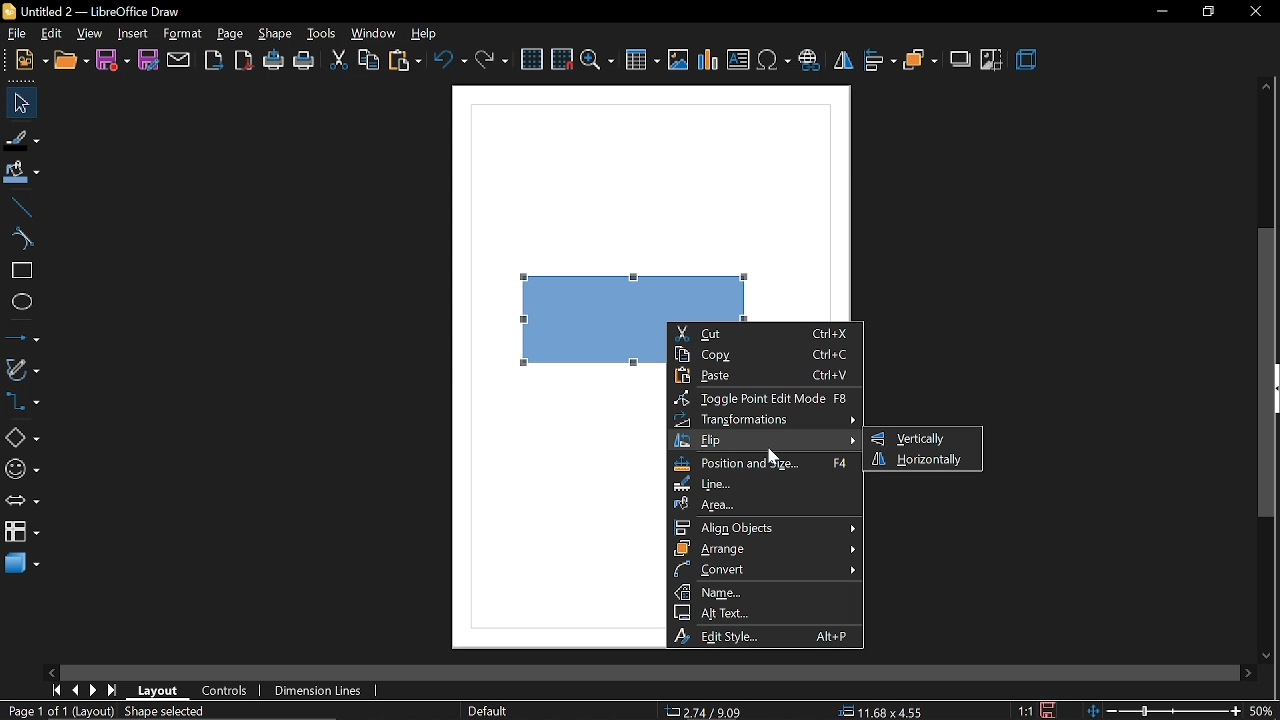 Image resolution: width=1280 pixels, height=720 pixels. Describe the element at coordinates (19, 103) in the screenshot. I see `select` at that location.